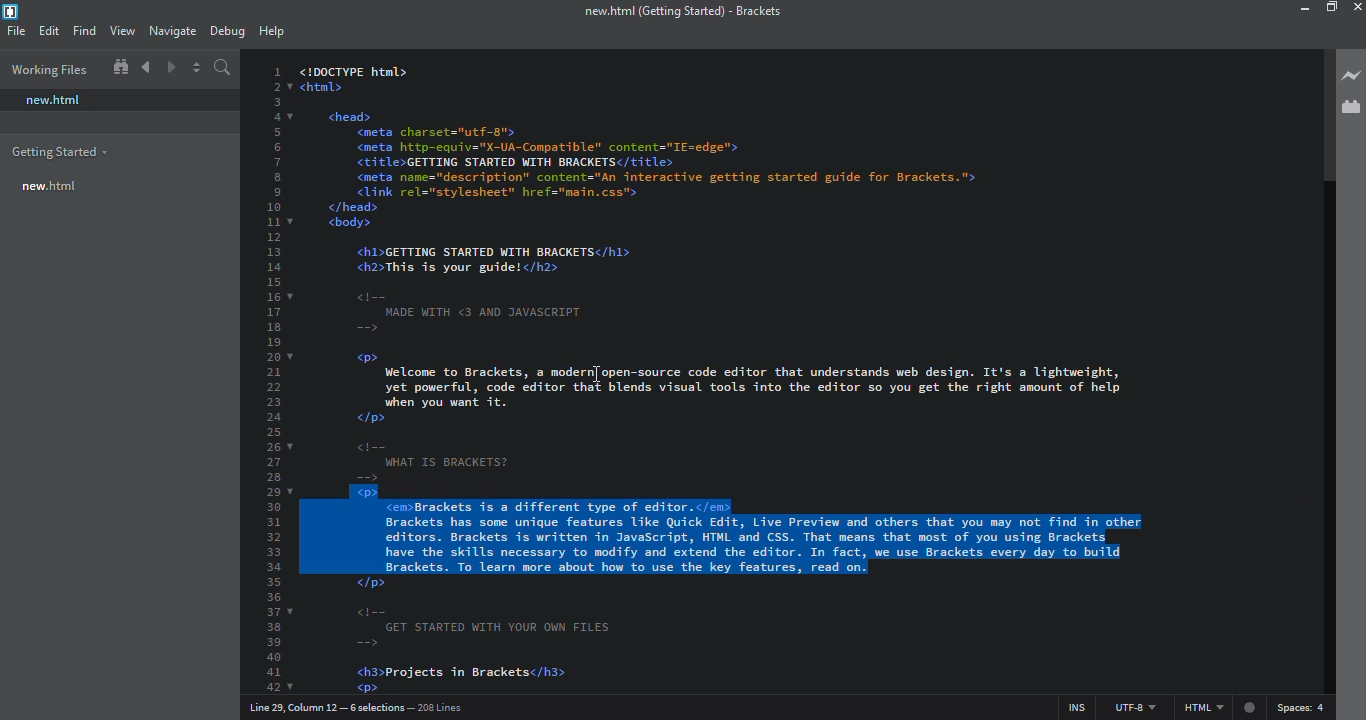 The image size is (1366, 720). Describe the element at coordinates (1321, 120) in the screenshot. I see `scroll bar` at that location.